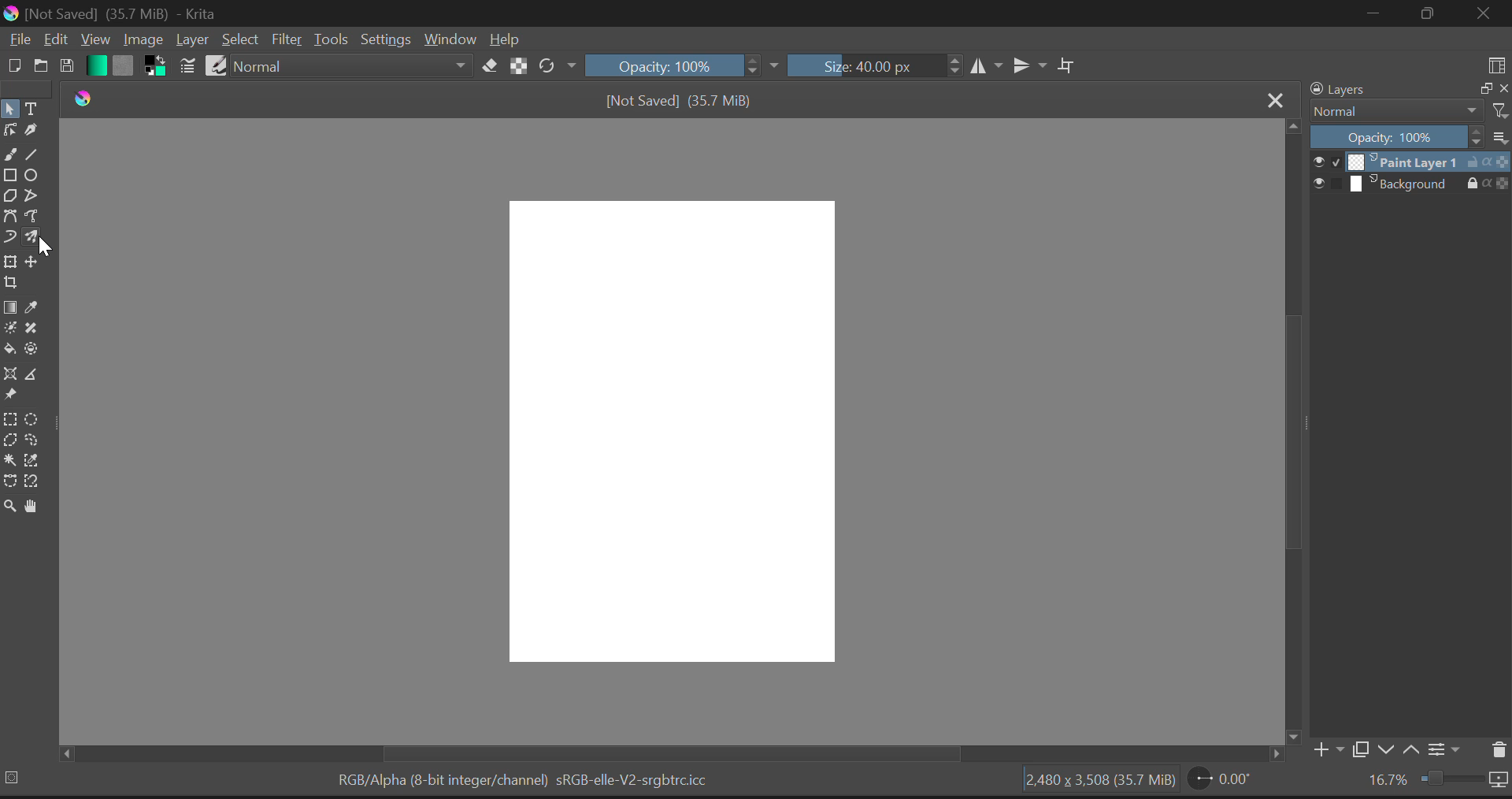  What do you see at coordinates (187, 65) in the screenshot?
I see `Brush Settings` at bounding box center [187, 65].